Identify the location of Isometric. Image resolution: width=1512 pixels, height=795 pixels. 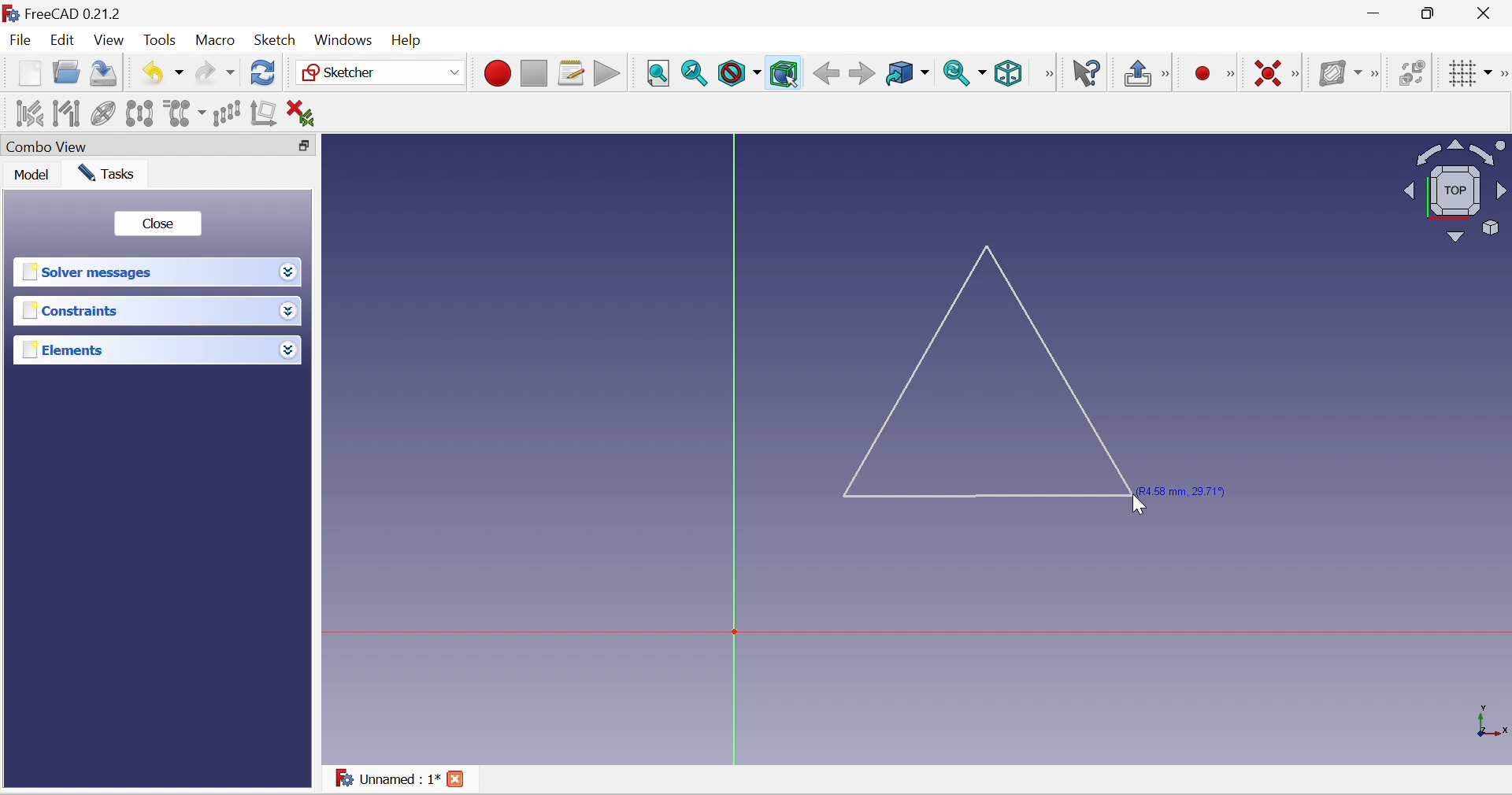
(1009, 73).